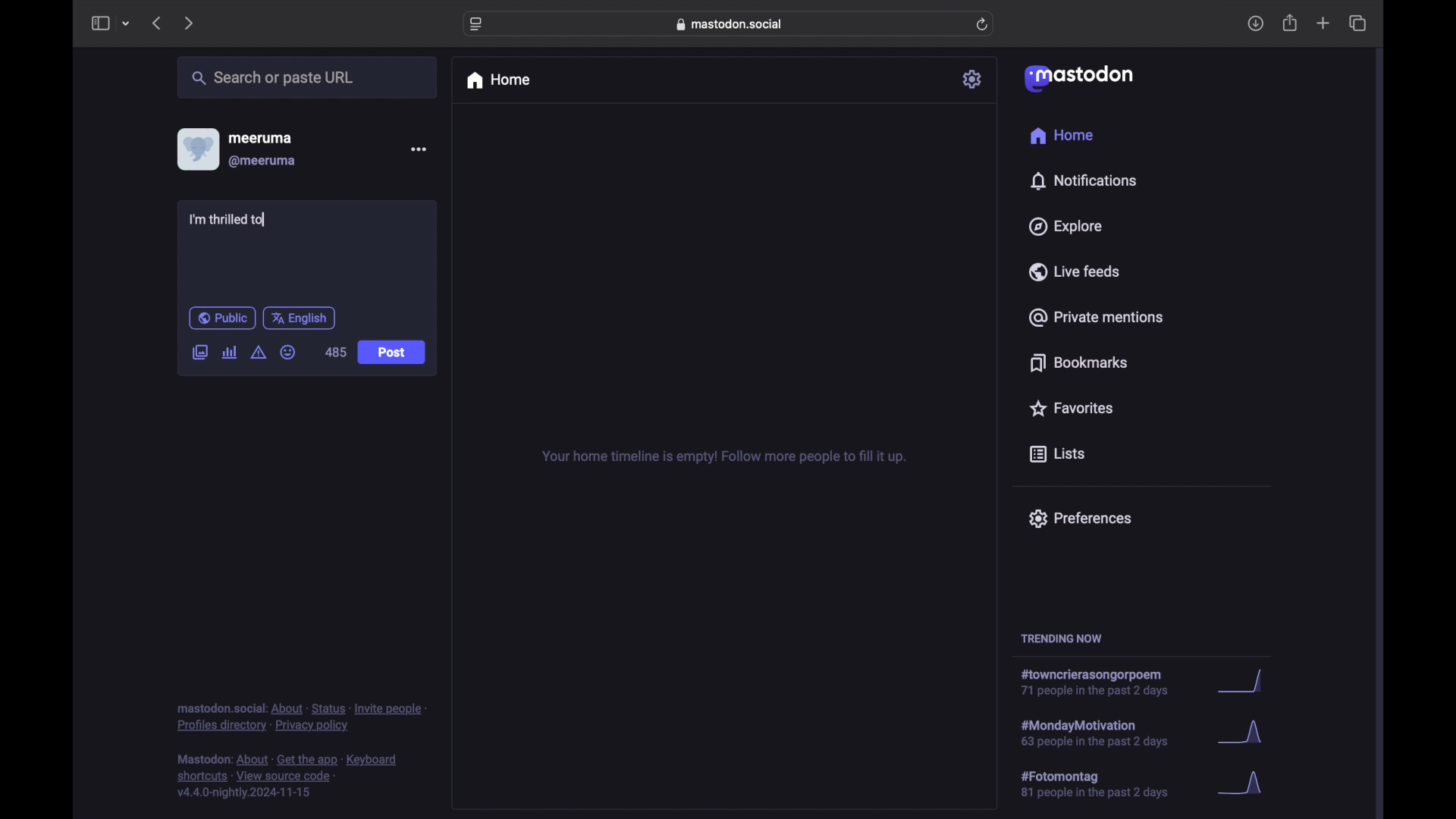  I want to click on I'm thrilled to, so click(228, 221).